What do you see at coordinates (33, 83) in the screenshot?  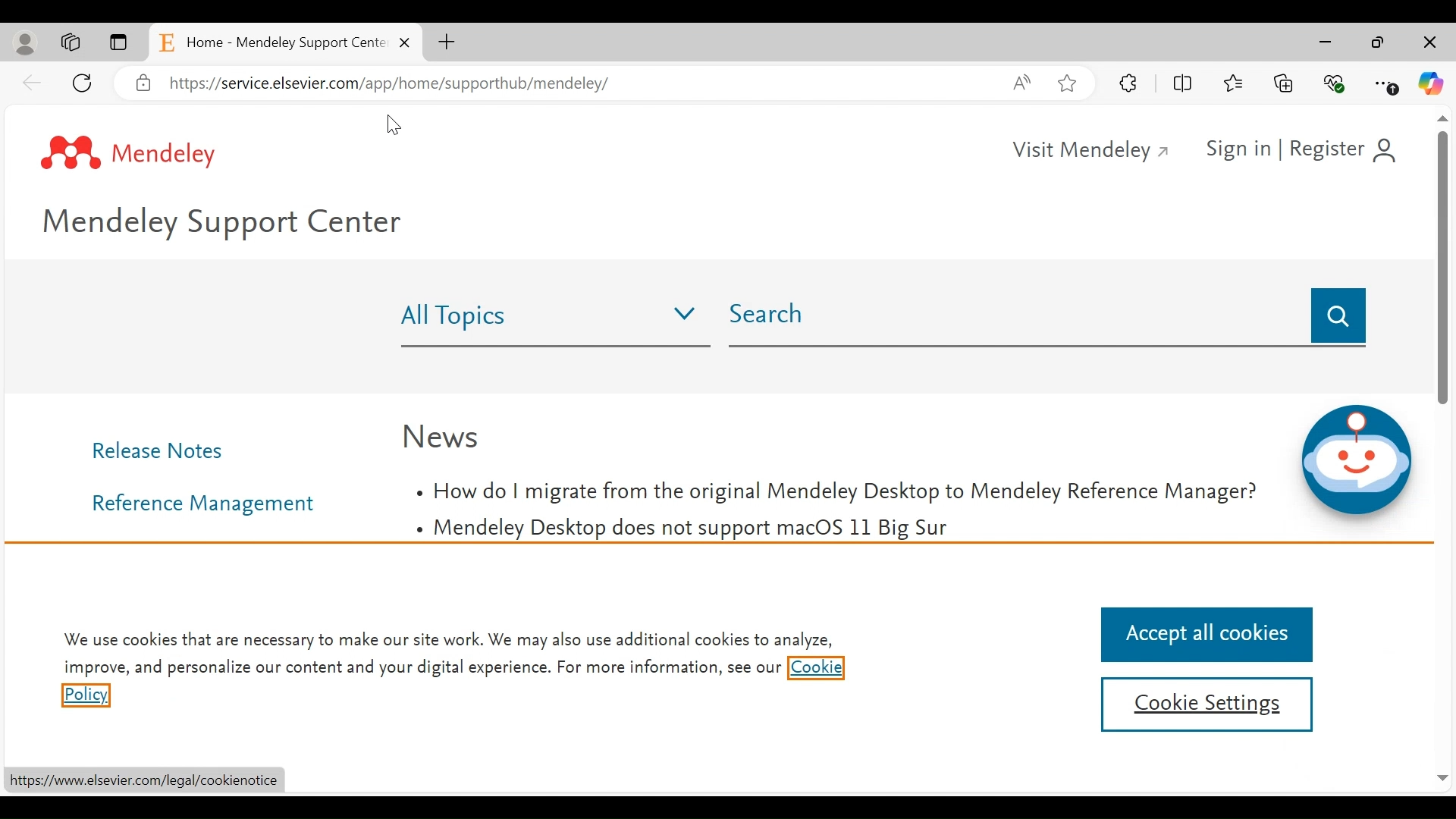 I see `Navigate back` at bounding box center [33, 83].